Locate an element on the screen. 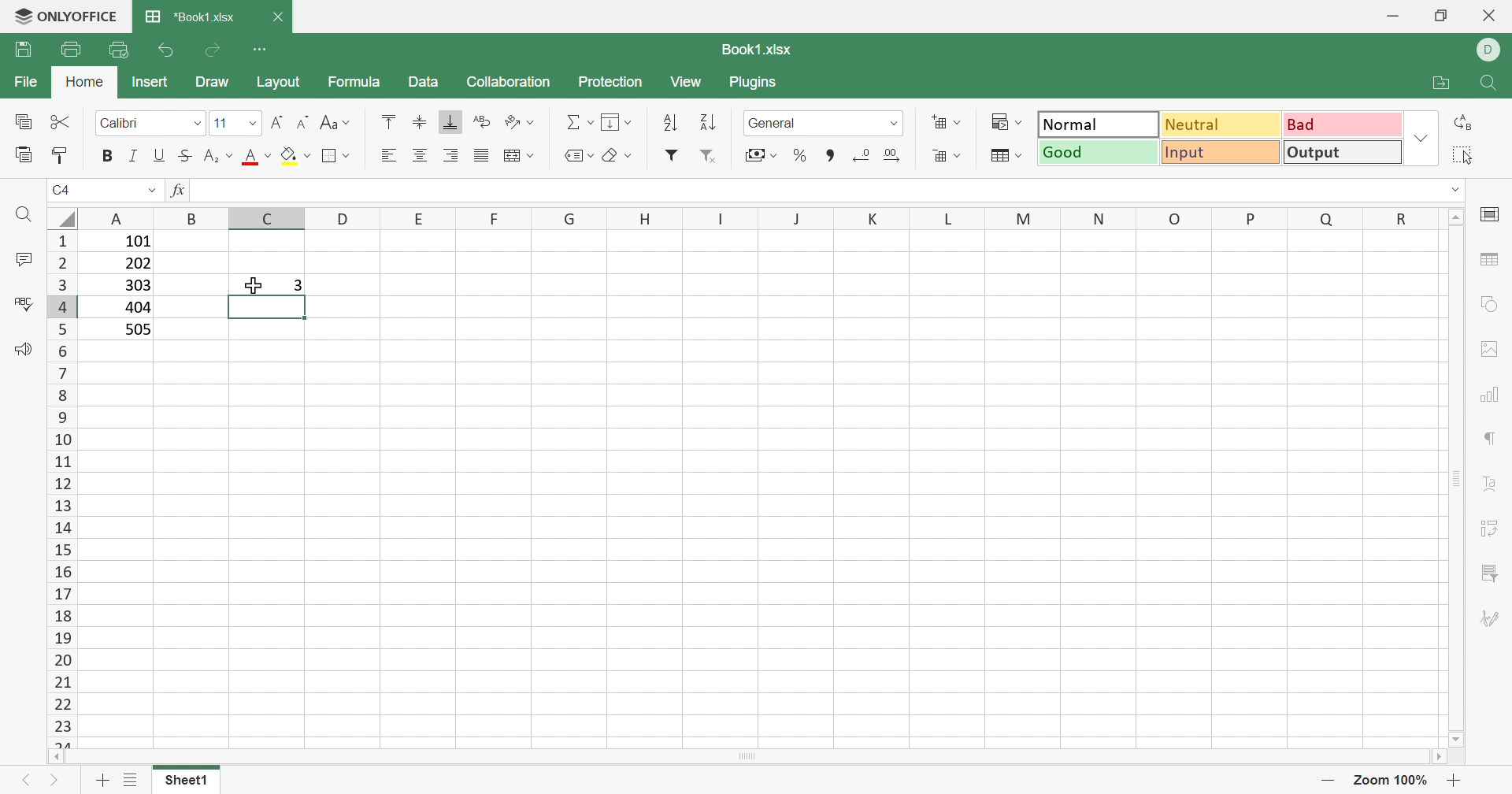 The height and width of the screenshot is (794, 1512). Data is located at coordinates (427, 83).